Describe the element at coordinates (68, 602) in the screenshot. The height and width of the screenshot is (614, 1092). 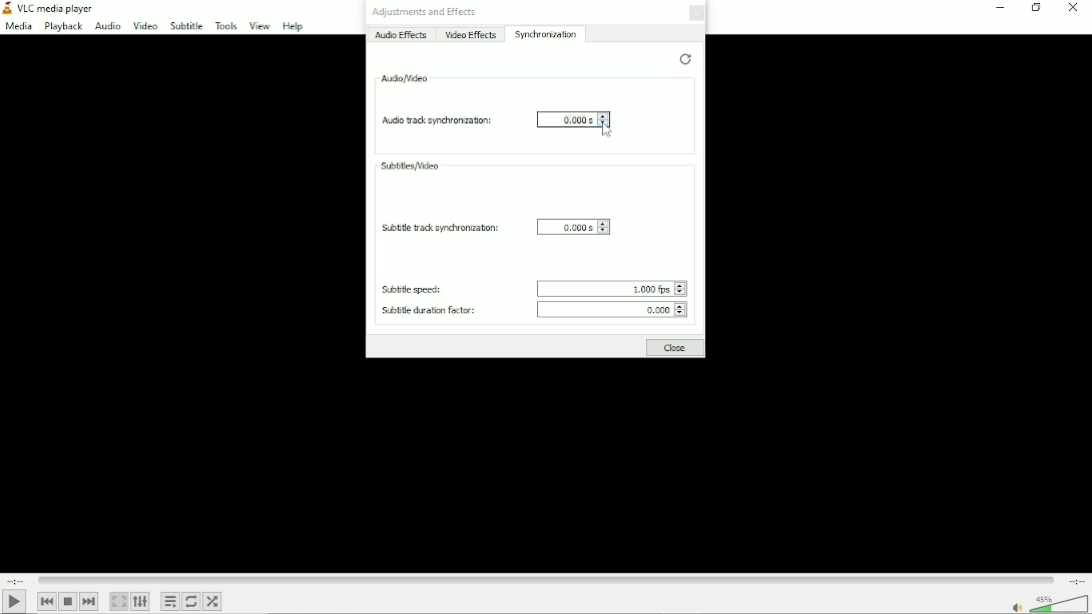
I see `Stop playlist` at that location.